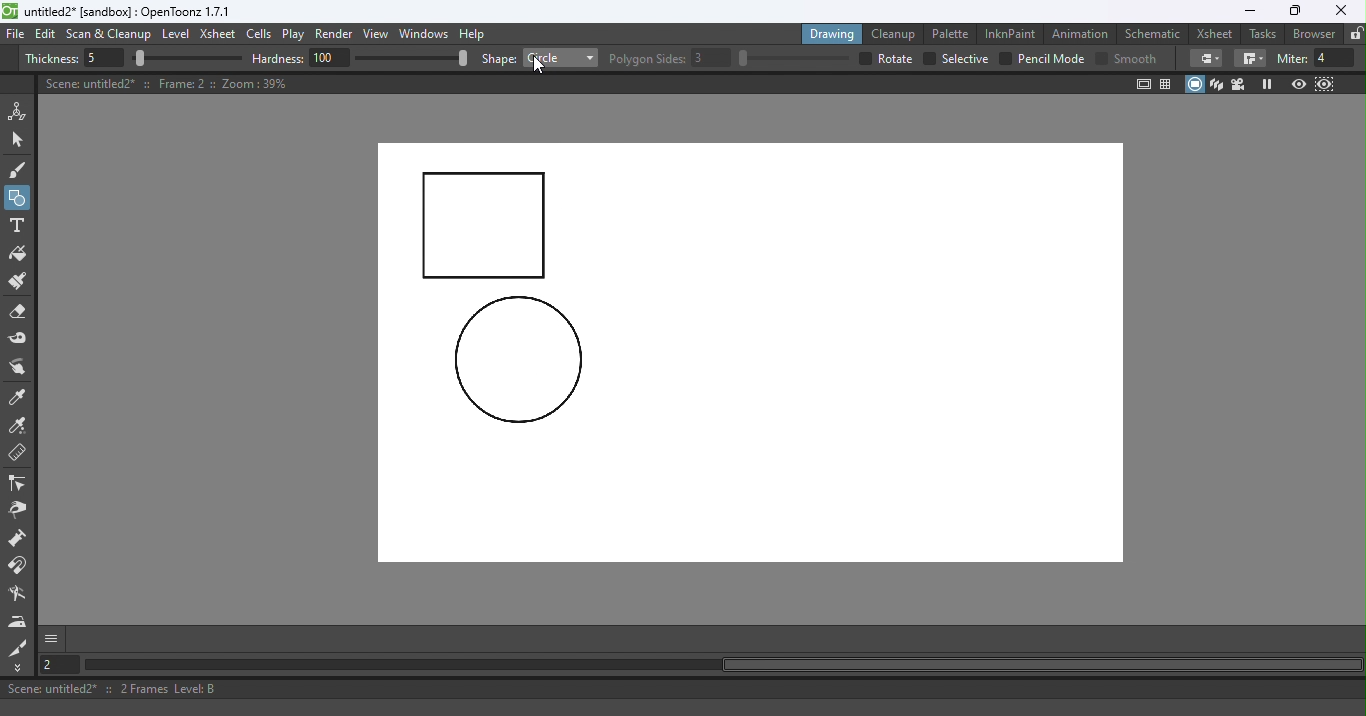 The width and height of the screenshot is (1366, 716). Describe the element at coordinates (19, 198) in the screenshot. I see `Geometric tool` at that location.